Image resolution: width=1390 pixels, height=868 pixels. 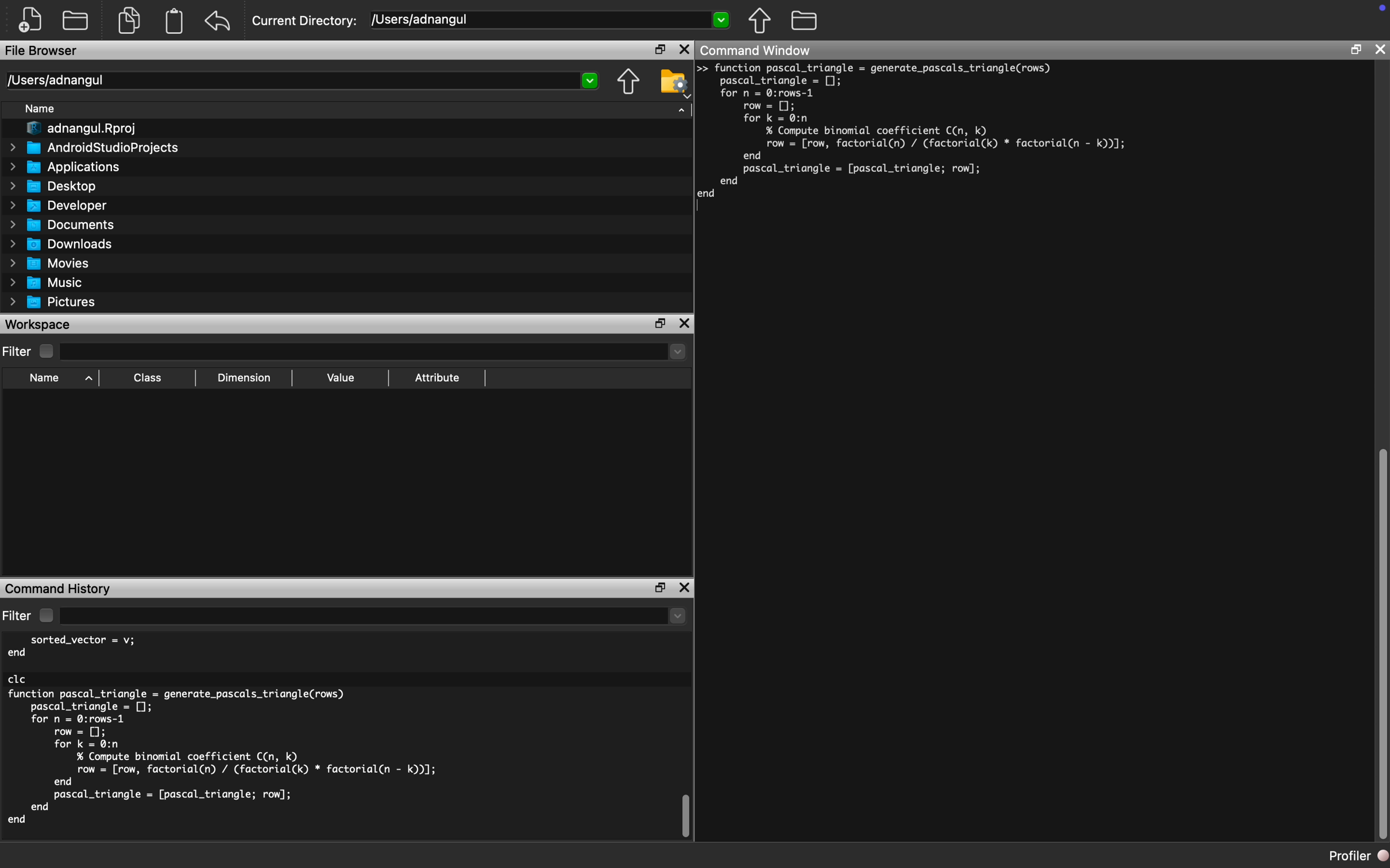 What do you see at coordinates (61, 245) in the screenshot?
I see `Downloads` at bounding box center [61, 245].